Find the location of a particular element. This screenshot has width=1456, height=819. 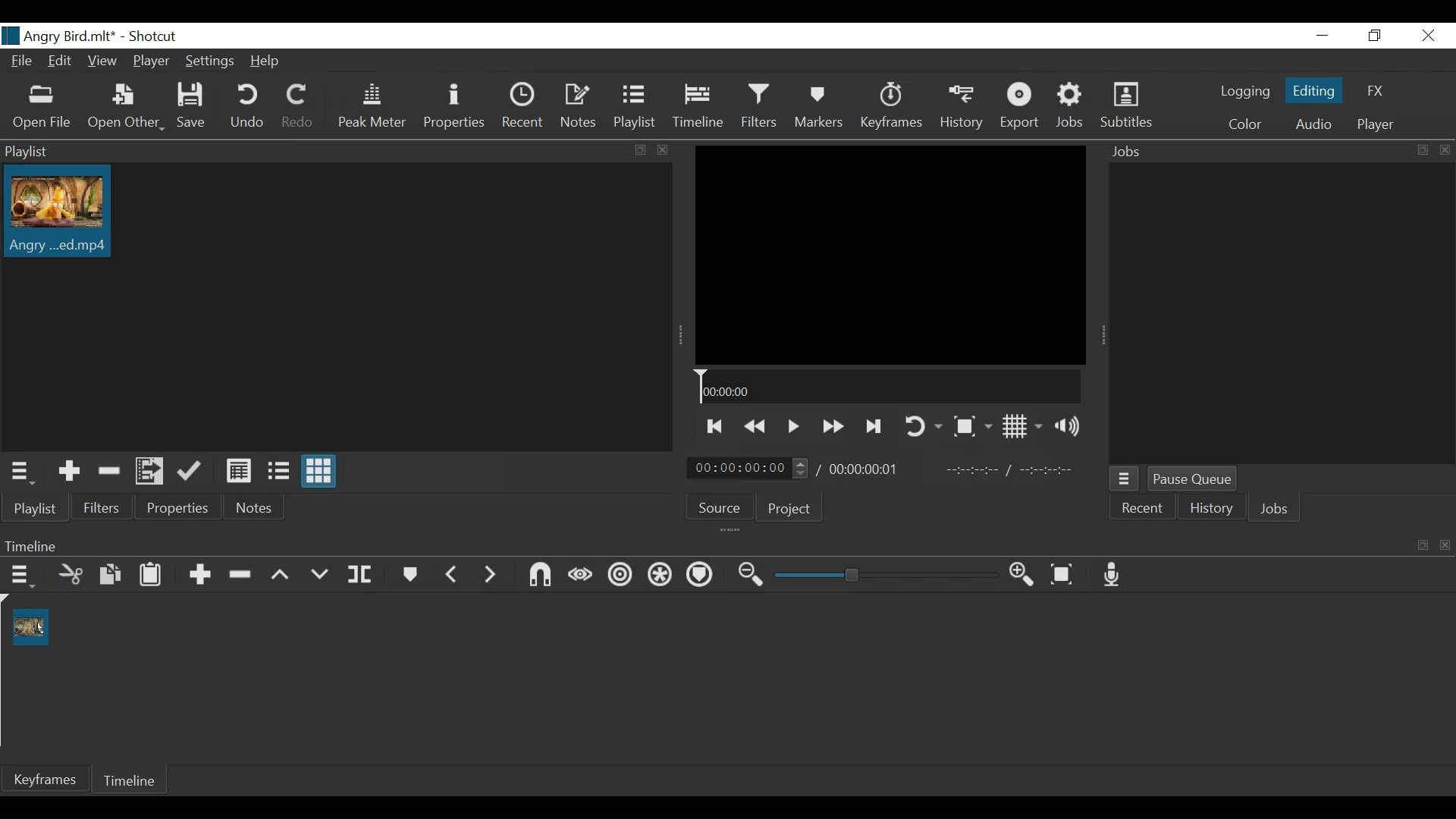

Color is located at coordinates (1245, 124).